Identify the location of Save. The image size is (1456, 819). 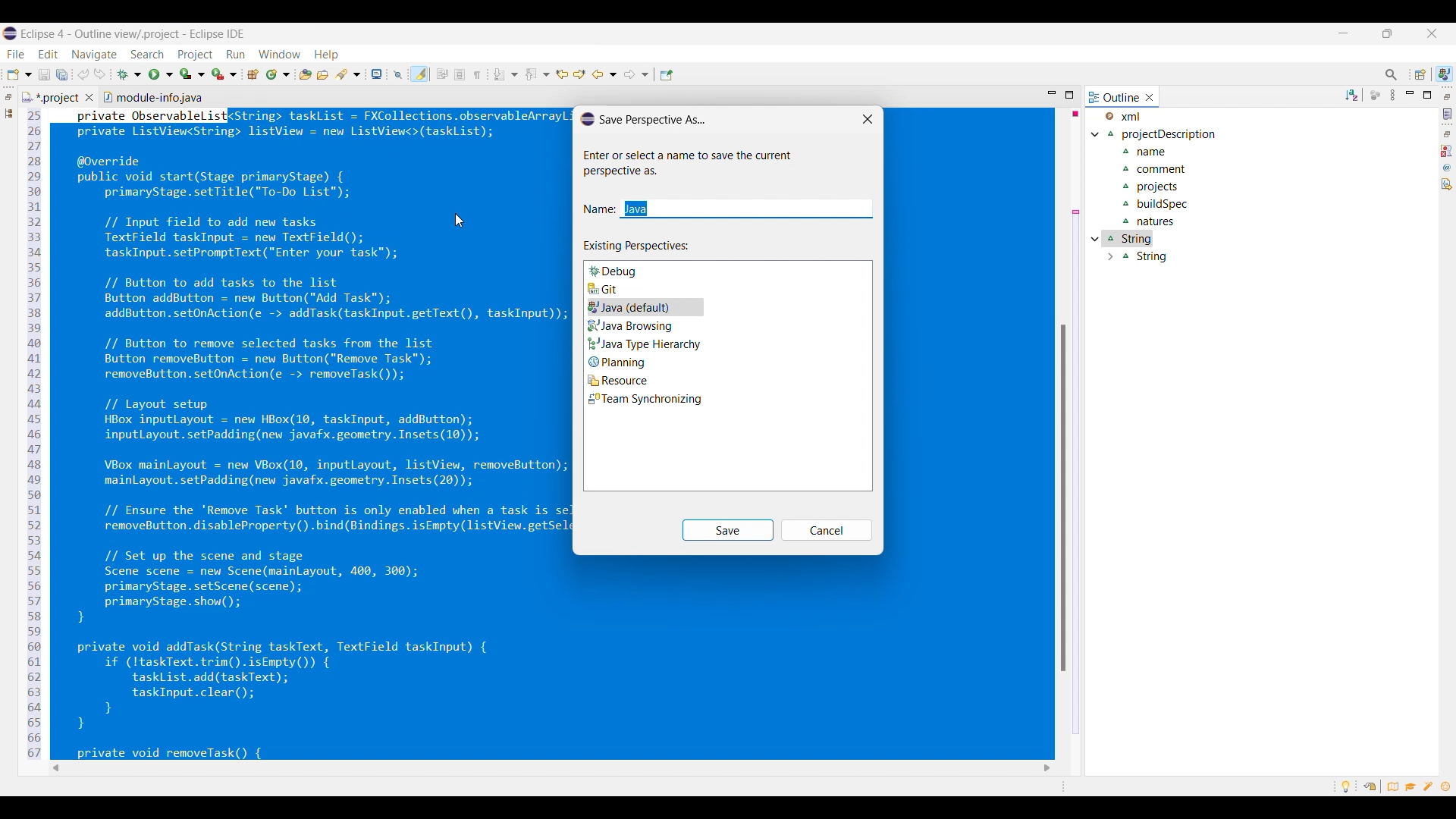
(729, 530).